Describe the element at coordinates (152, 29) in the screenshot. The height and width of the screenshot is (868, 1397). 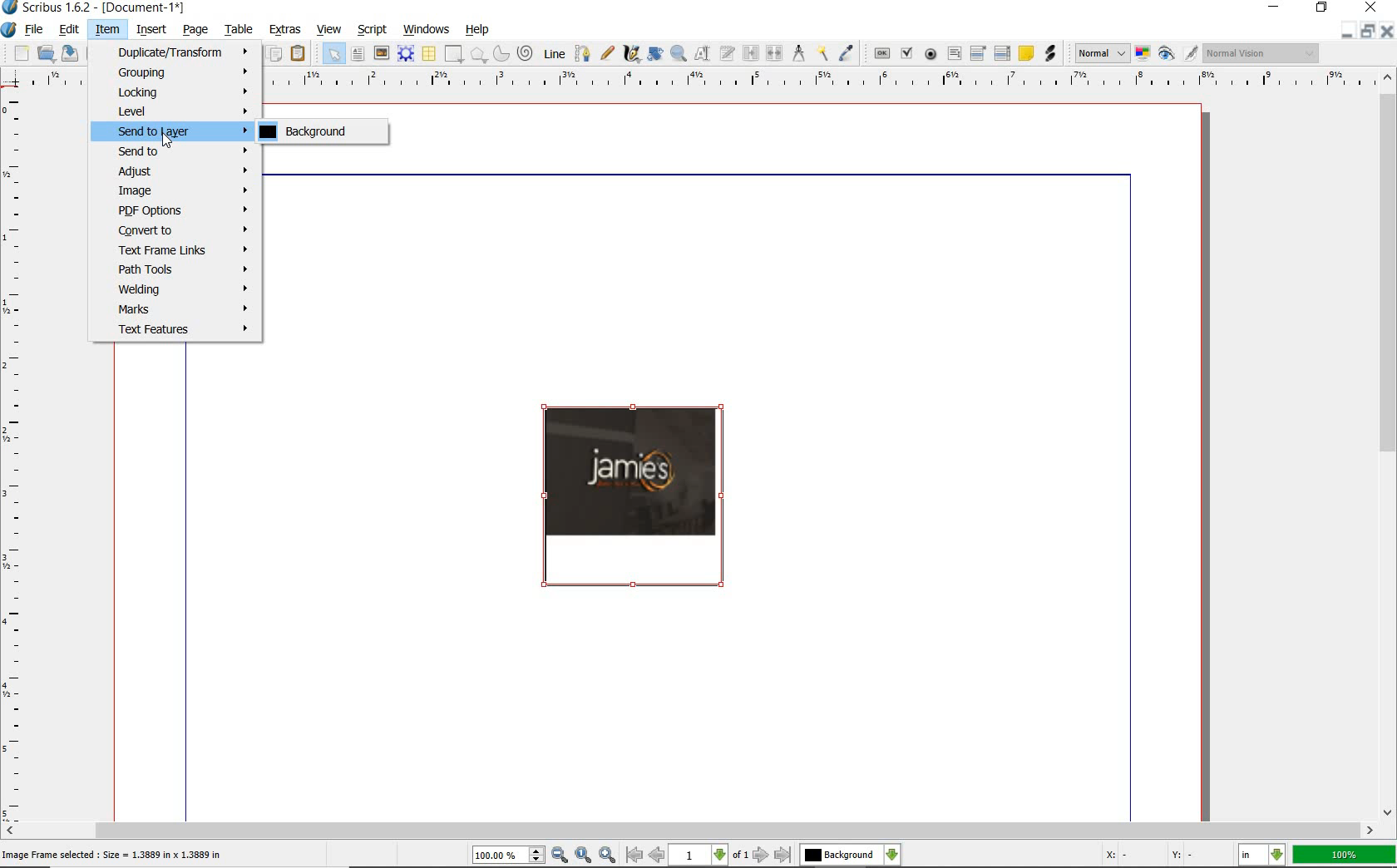
I see `insert` at that location.